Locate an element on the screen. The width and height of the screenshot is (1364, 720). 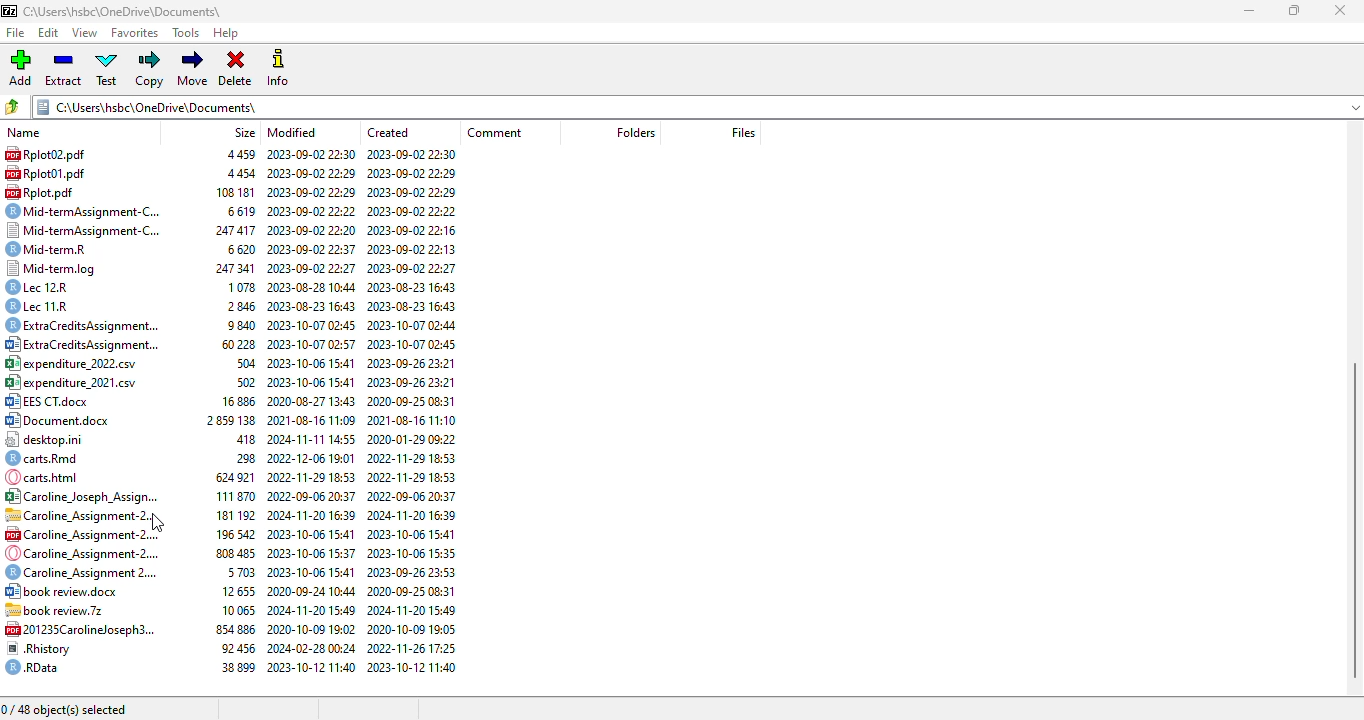
 book review.docx is located at coordinates (65, 591).